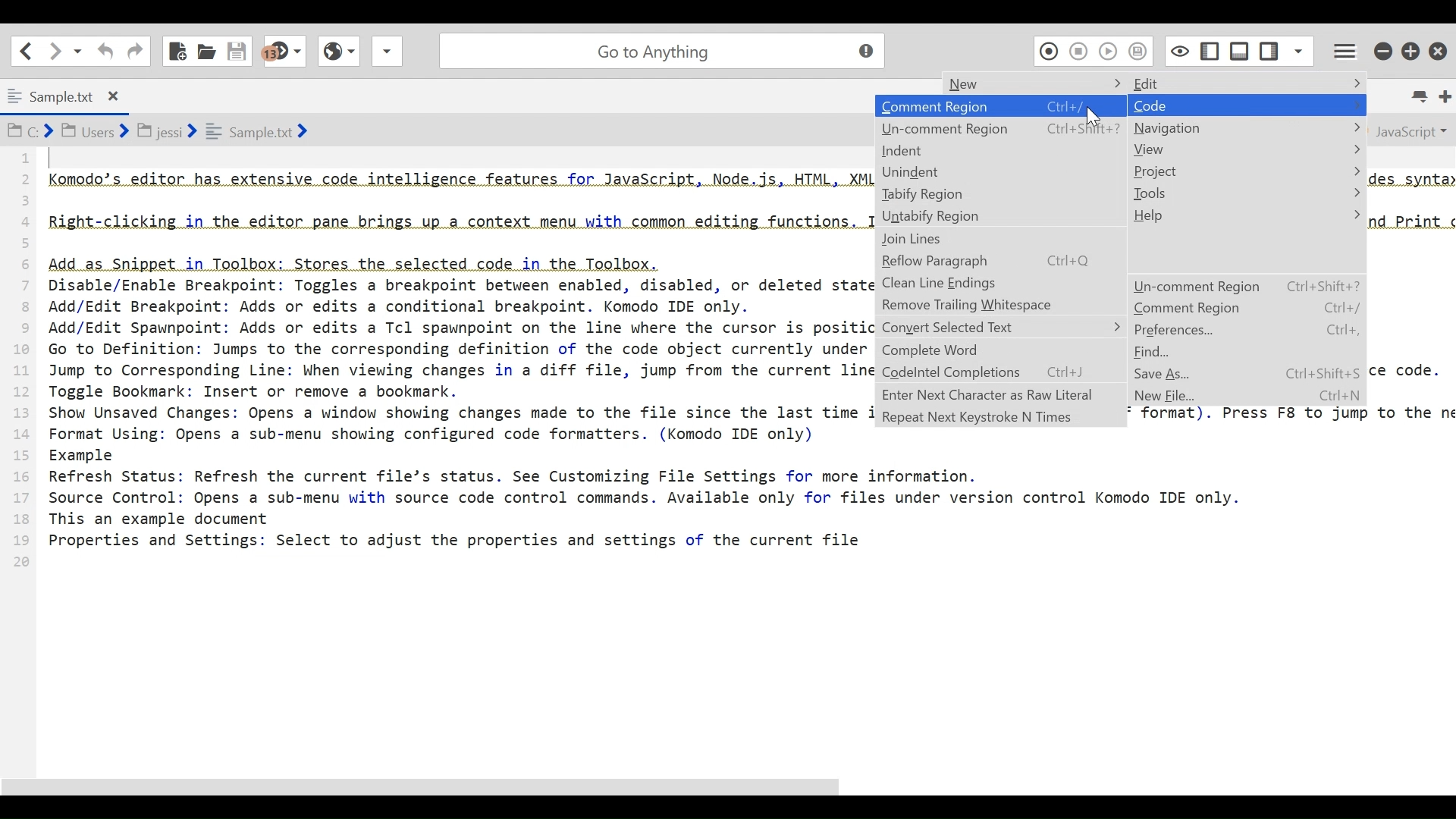 The image size is (1456, 819). What do you see at coordinates (999, 284) in the screenshot?
I see `Clean Line Endings` at bounding box center [999, 284].